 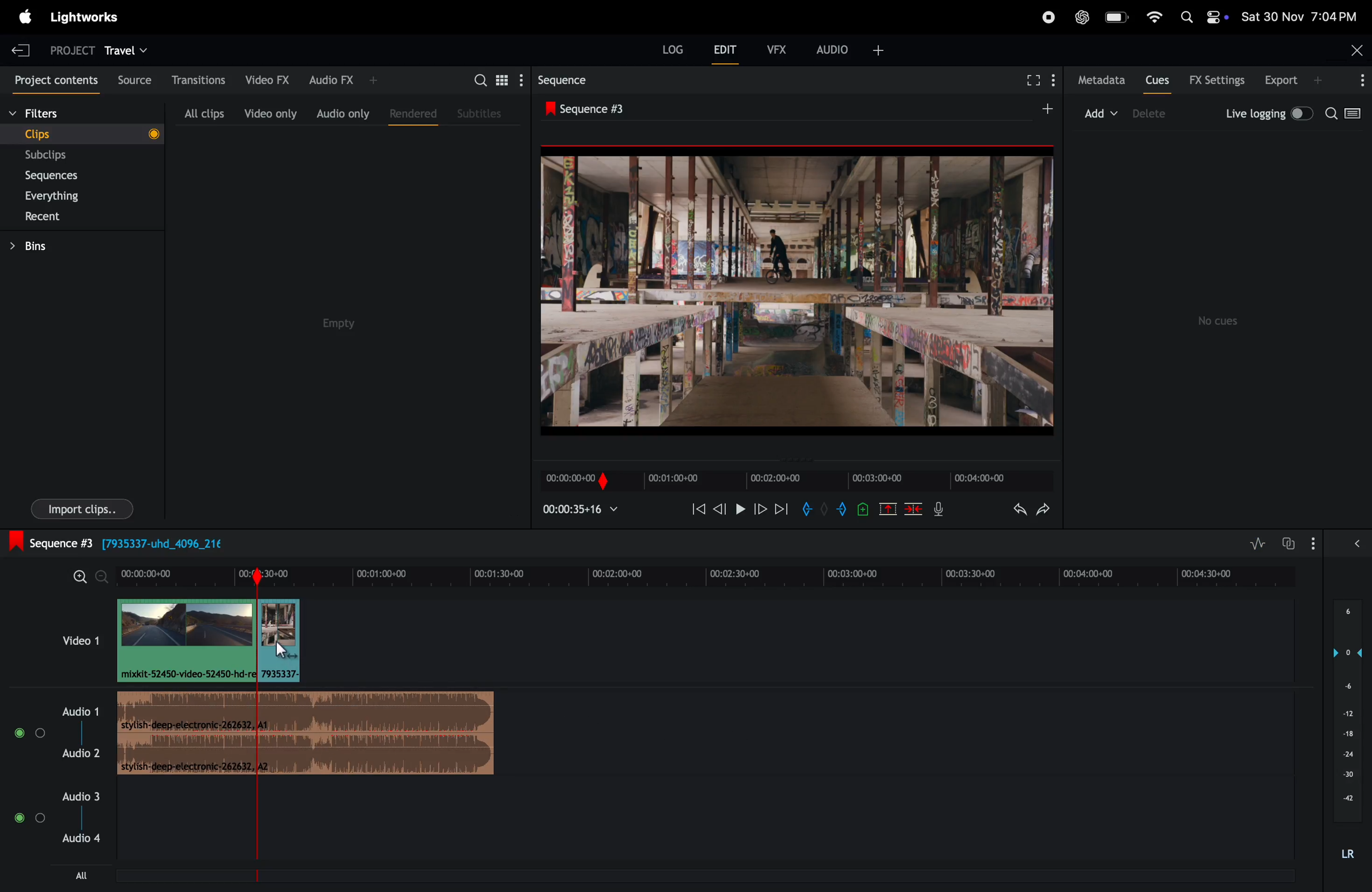 What do you see at coordinates (1204, 16) in the screenshot?
I see `apple widgets` at bounding box center [1204, 16].